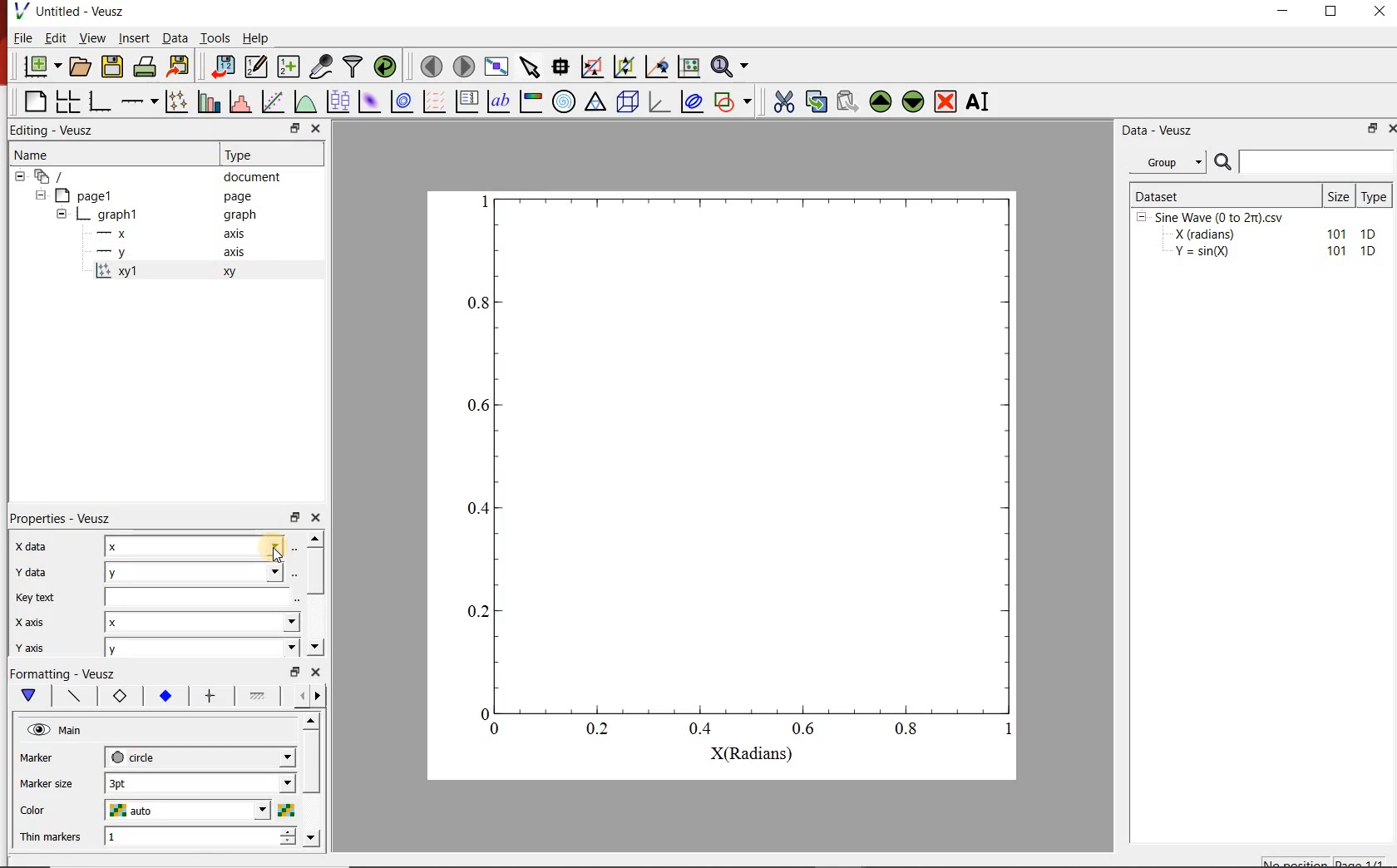 This screenshot has height=868, width=1397. Describe the element at coordinates (354, 67) in the screenshot. I see `filter data` at that location.